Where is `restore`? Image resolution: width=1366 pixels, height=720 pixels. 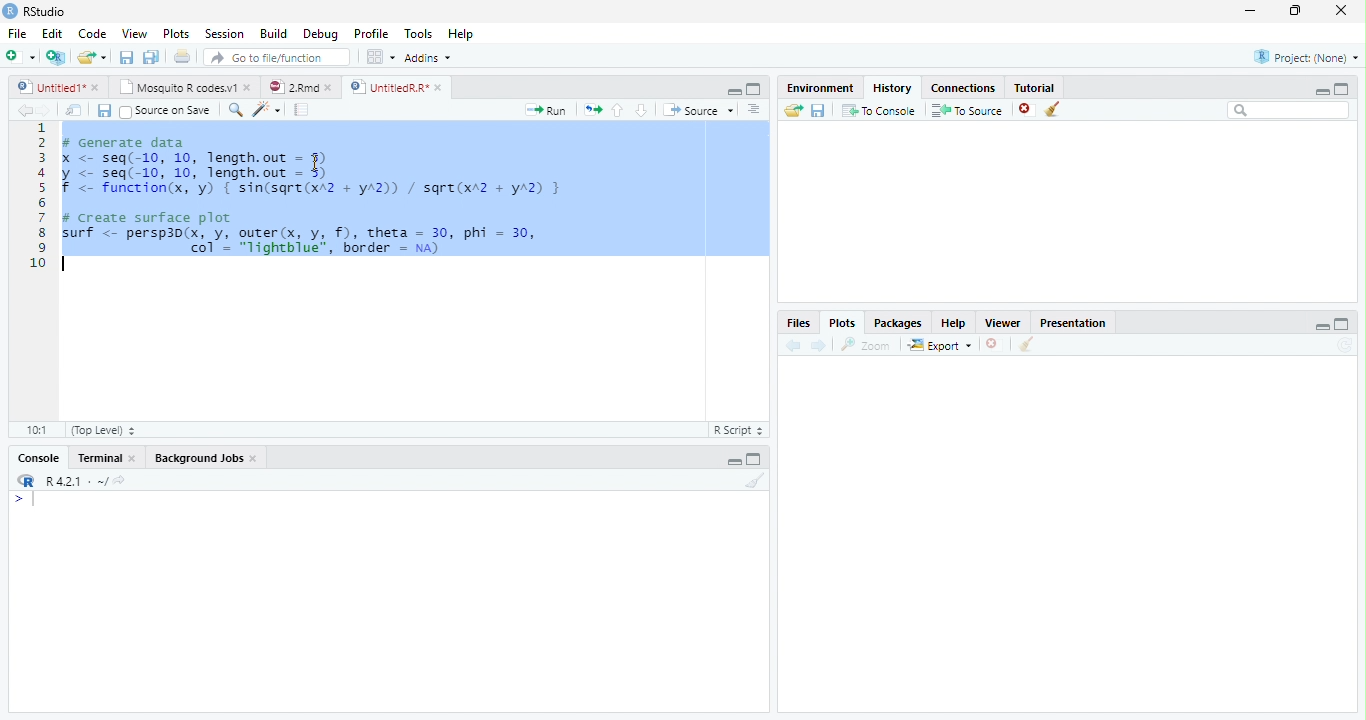
restore is located at coordinates (1295, 10).